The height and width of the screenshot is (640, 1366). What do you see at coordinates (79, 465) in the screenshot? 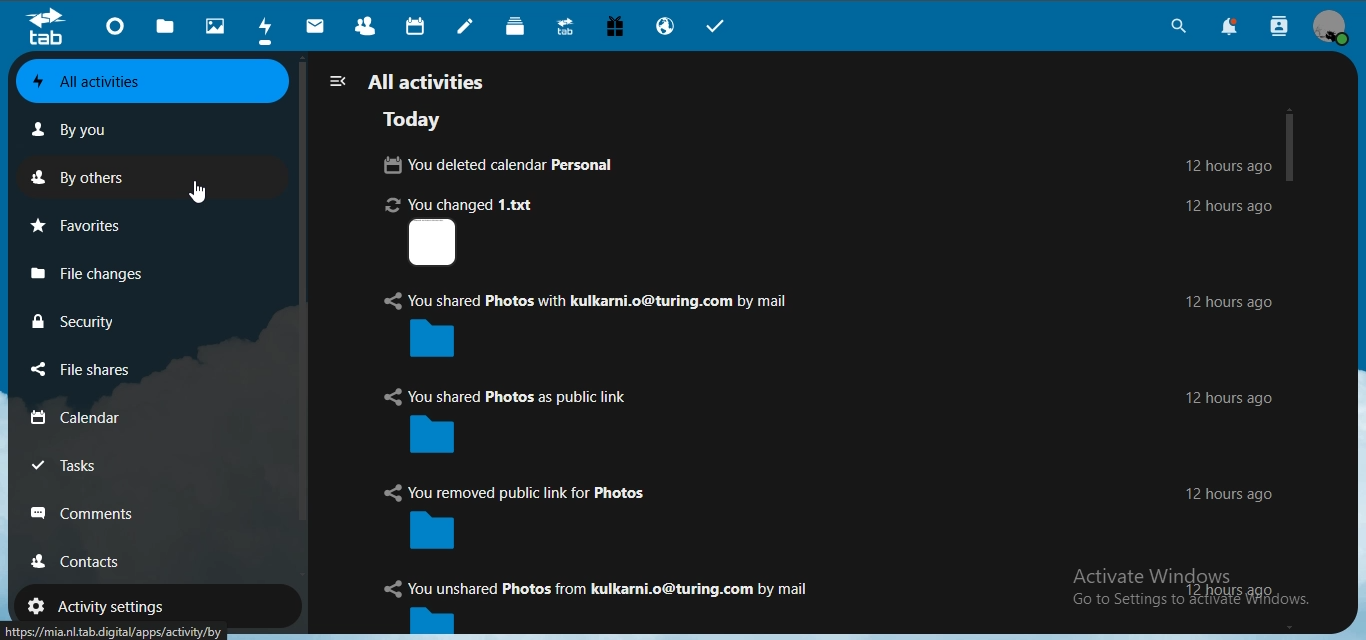
I see `tasks` at bounding box center [79, 465].